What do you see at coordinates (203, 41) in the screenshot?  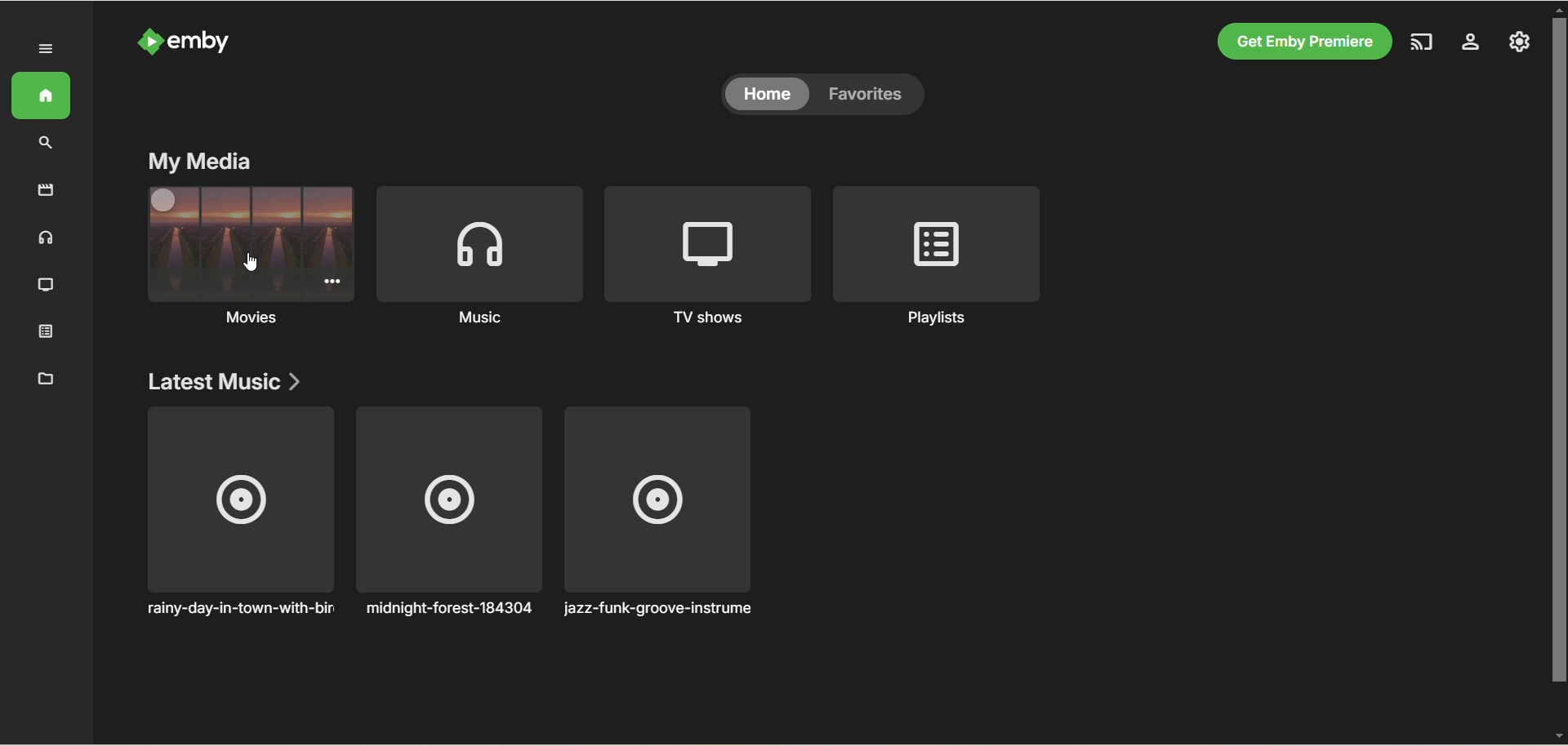 I see `emby` at bounding box center [203, 41].